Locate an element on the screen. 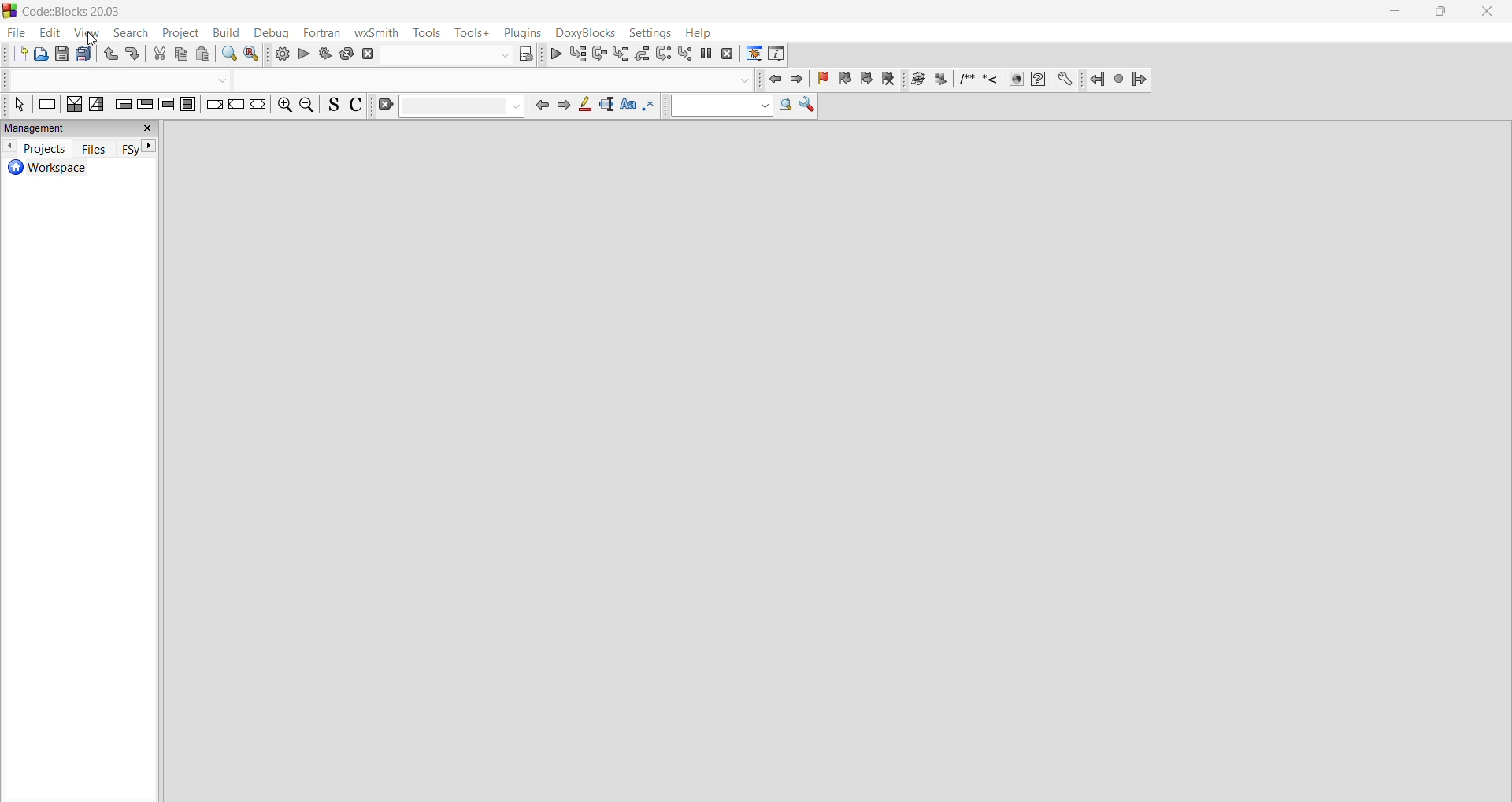 The width and height of the screenshot is (1512, 802). tools is located at coordinates (427, 32).